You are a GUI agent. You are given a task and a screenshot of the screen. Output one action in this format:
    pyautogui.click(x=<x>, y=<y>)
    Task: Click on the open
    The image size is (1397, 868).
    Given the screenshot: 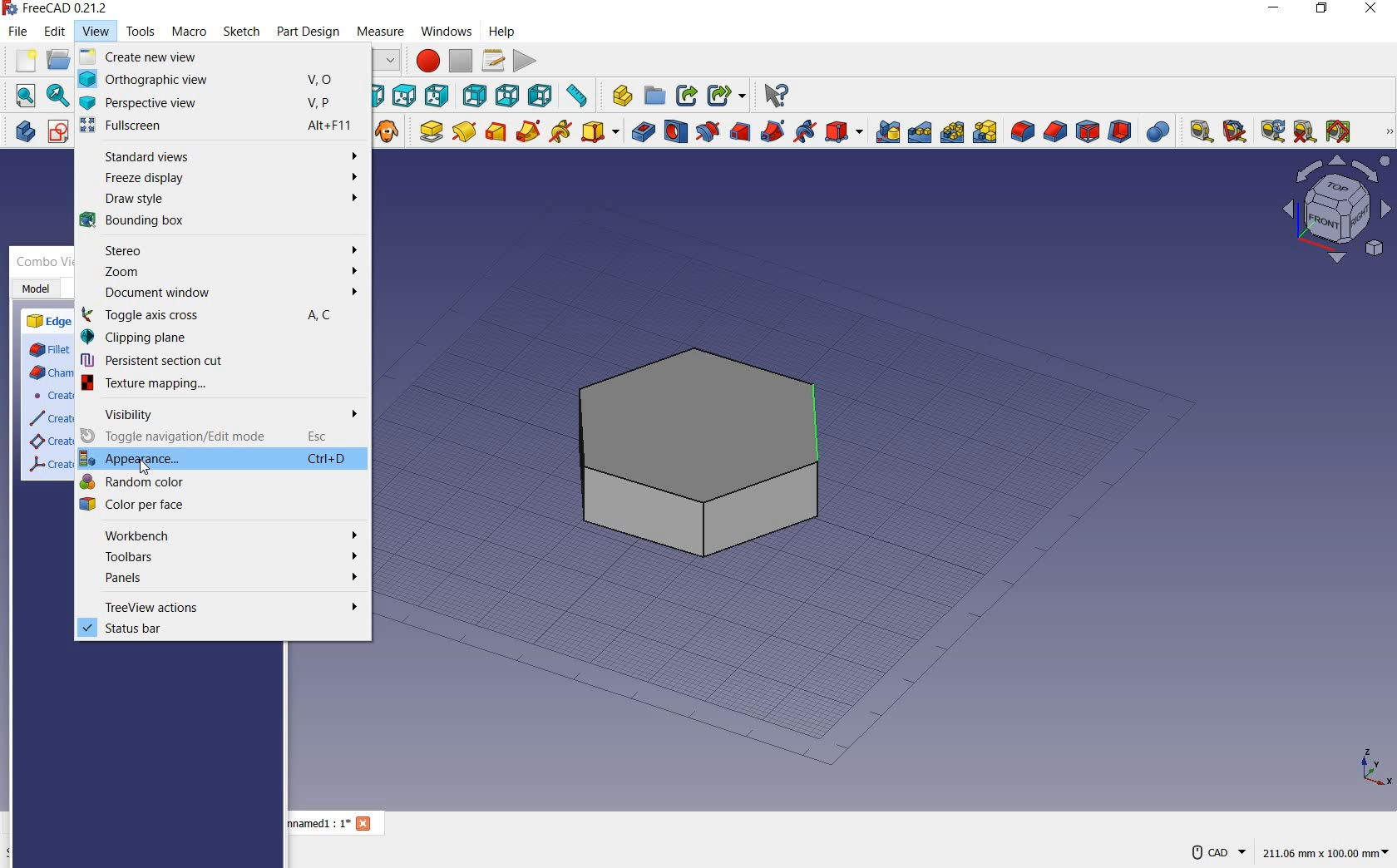 What is the action you would take?
    pyautogui.click(x=58, y=57)
    